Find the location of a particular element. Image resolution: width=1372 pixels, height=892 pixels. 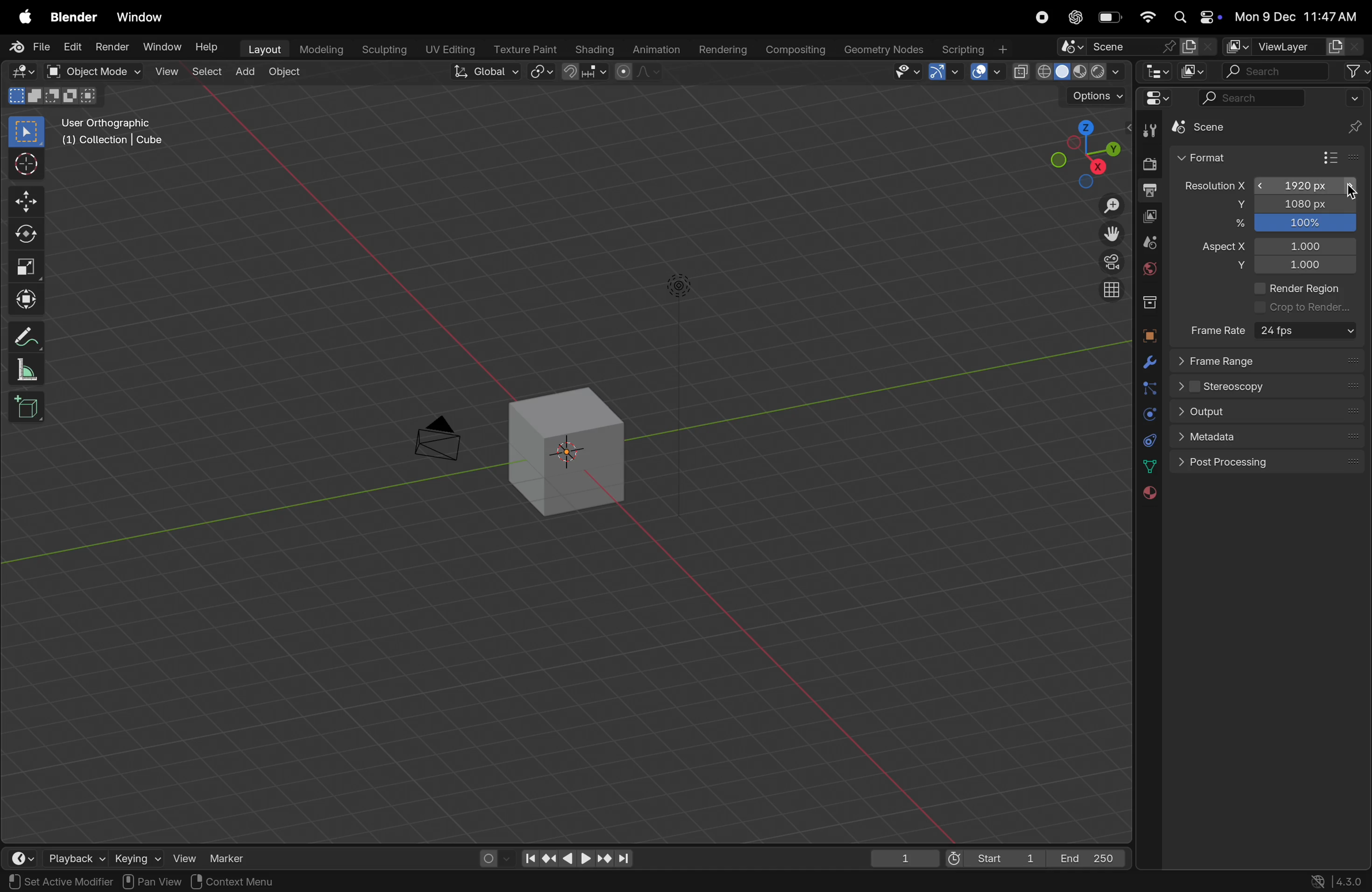

blender menu is located at coordinates (77, 19).